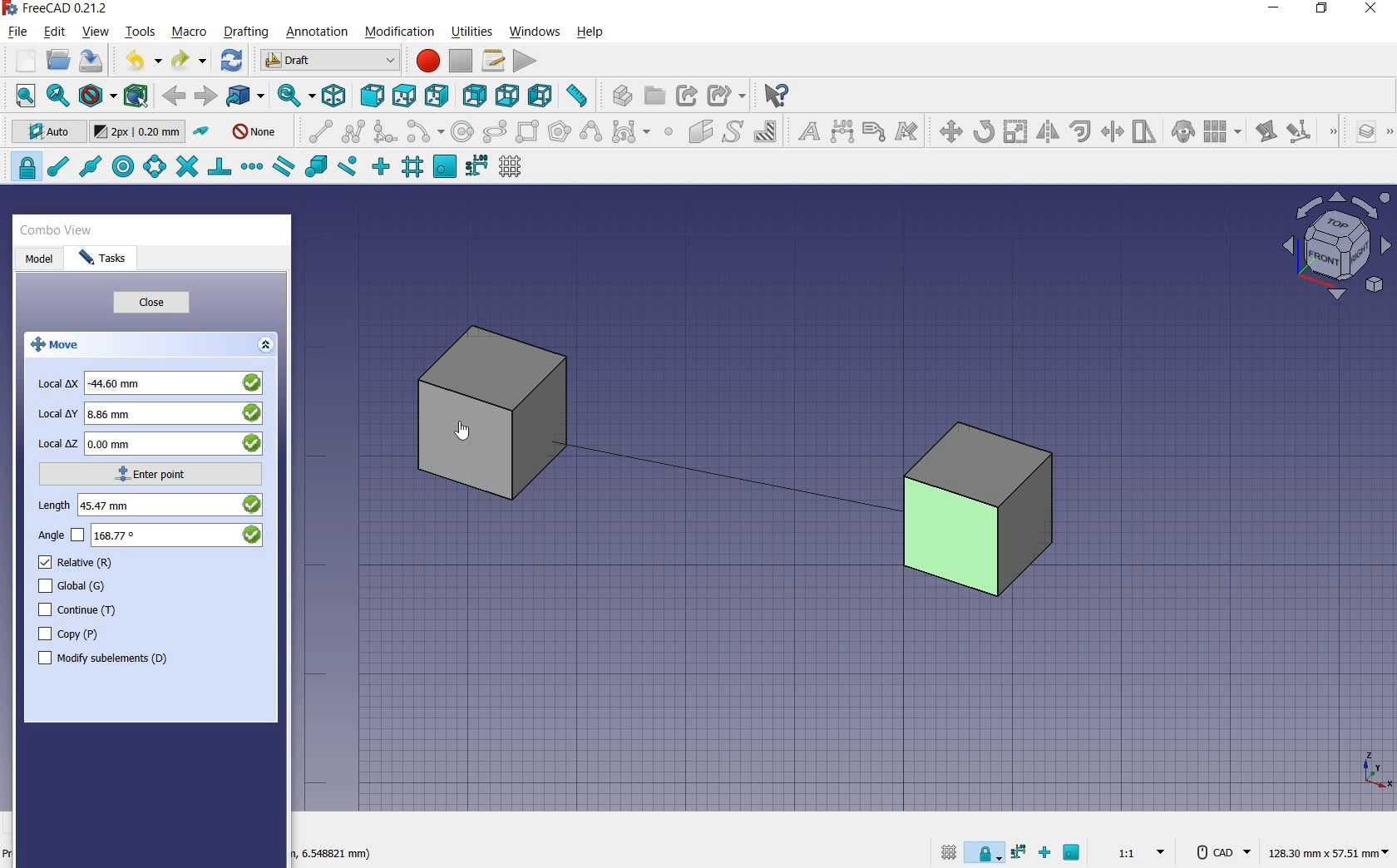 The image size is (1397, 868). I want to click on snap lock, so click(22, 167).